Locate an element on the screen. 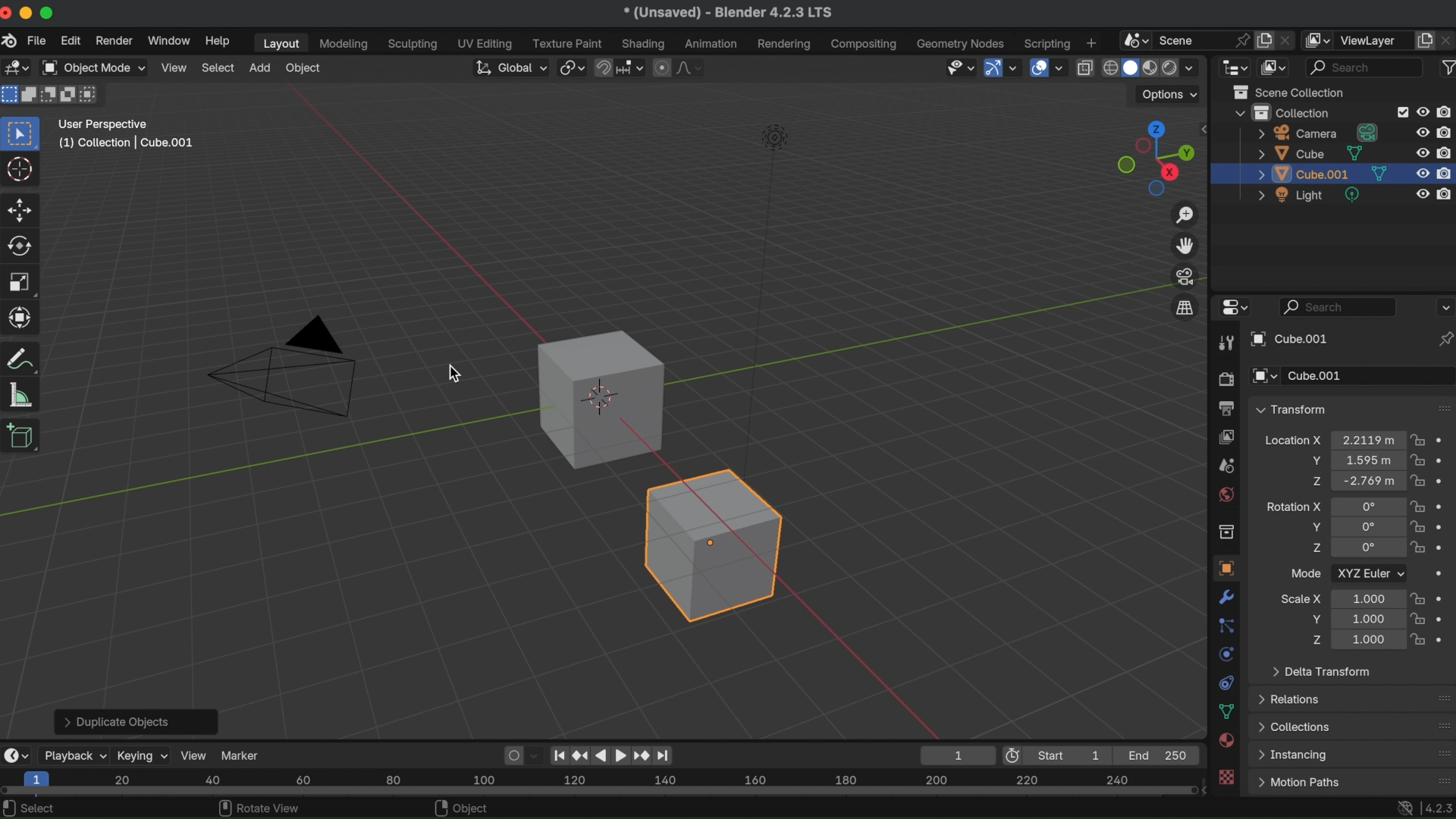 This screenshot has width=1456, height=819. lock rotation is located at coordinates (1418, 528).